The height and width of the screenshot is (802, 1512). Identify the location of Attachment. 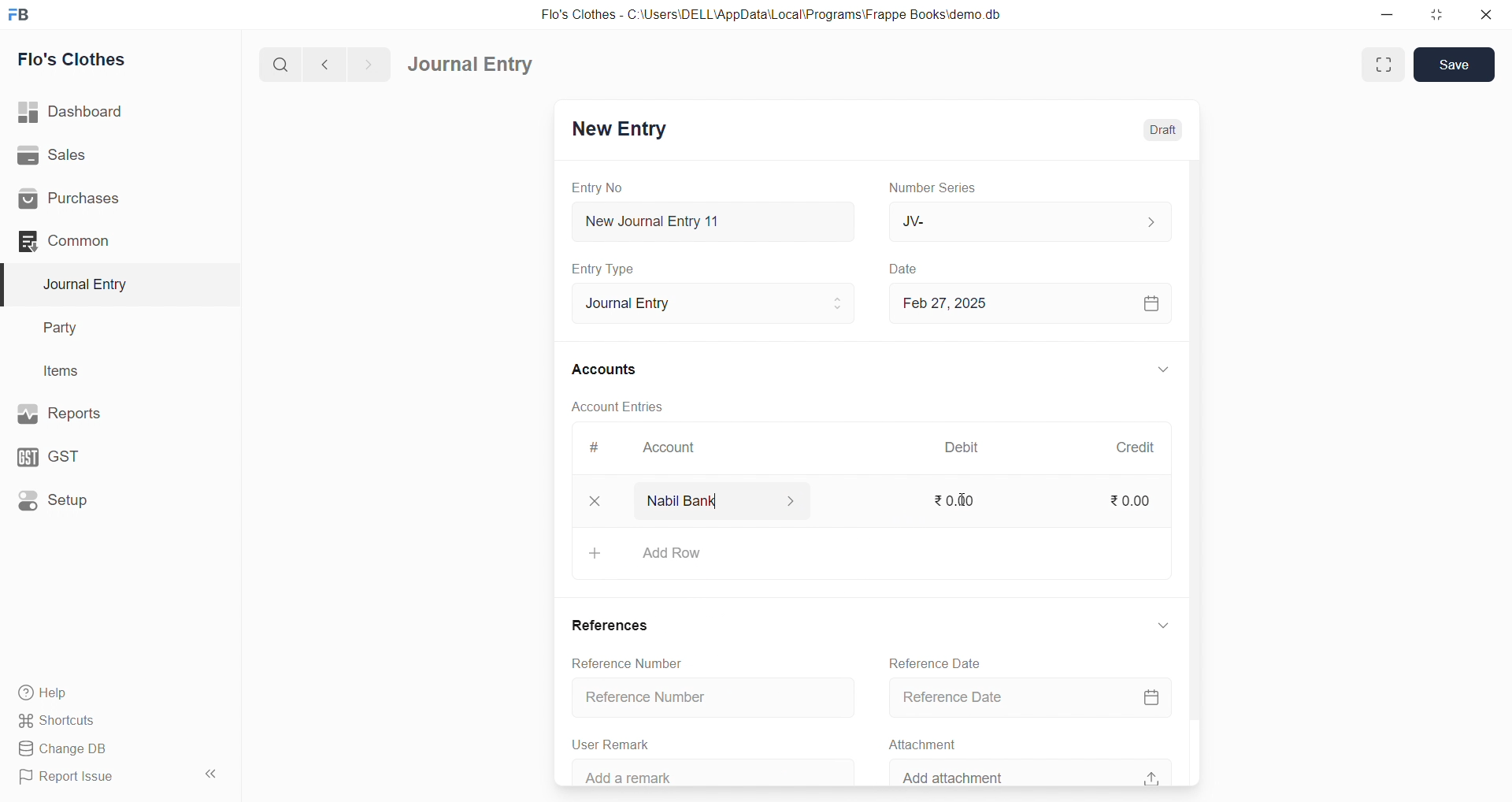
(917, 743).